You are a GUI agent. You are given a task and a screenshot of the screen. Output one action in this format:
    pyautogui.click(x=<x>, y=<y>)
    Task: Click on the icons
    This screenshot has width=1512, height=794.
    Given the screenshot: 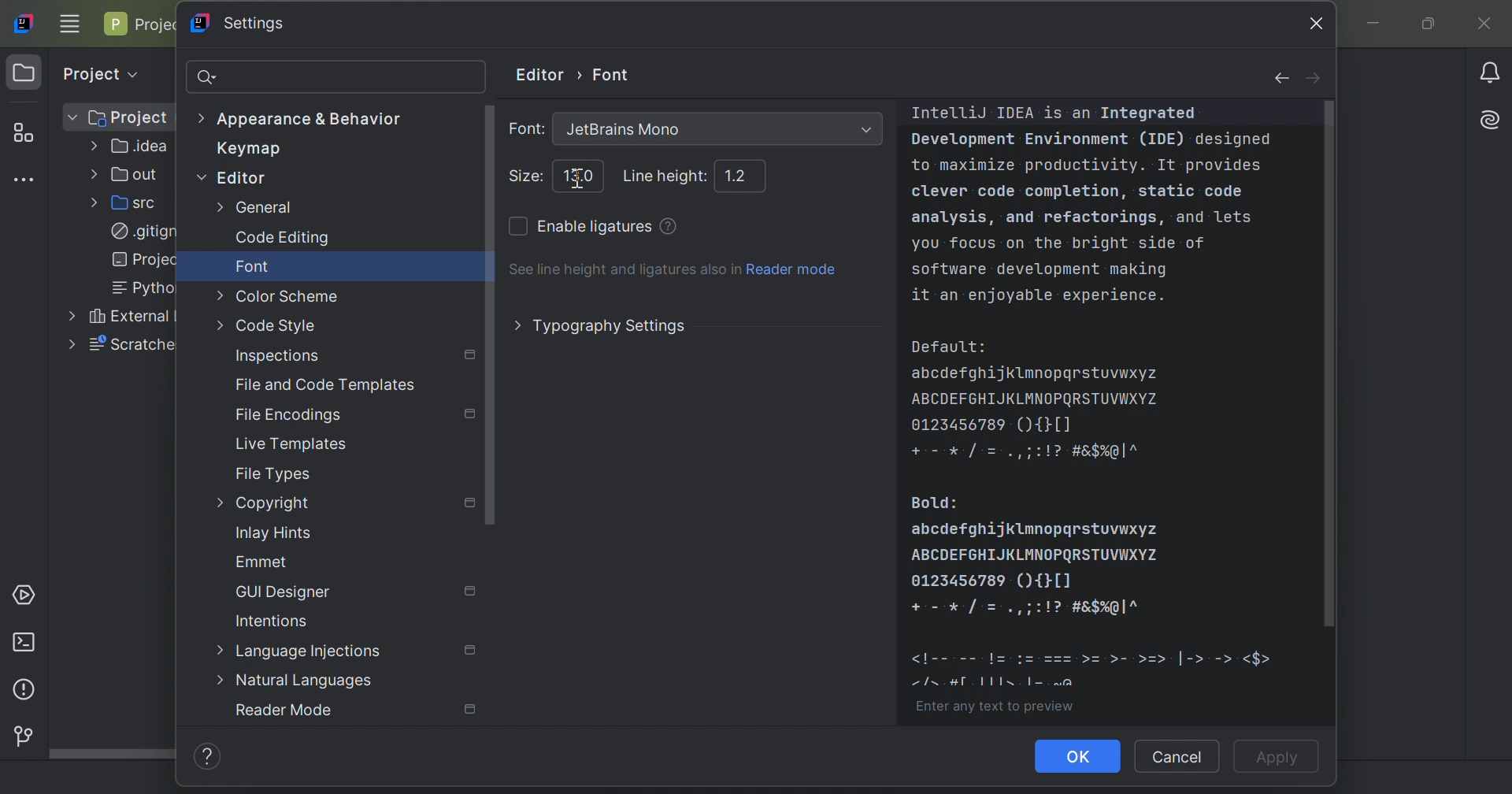 What is the action you would take?
    pyautogui.click(x=1095, y=670)
    